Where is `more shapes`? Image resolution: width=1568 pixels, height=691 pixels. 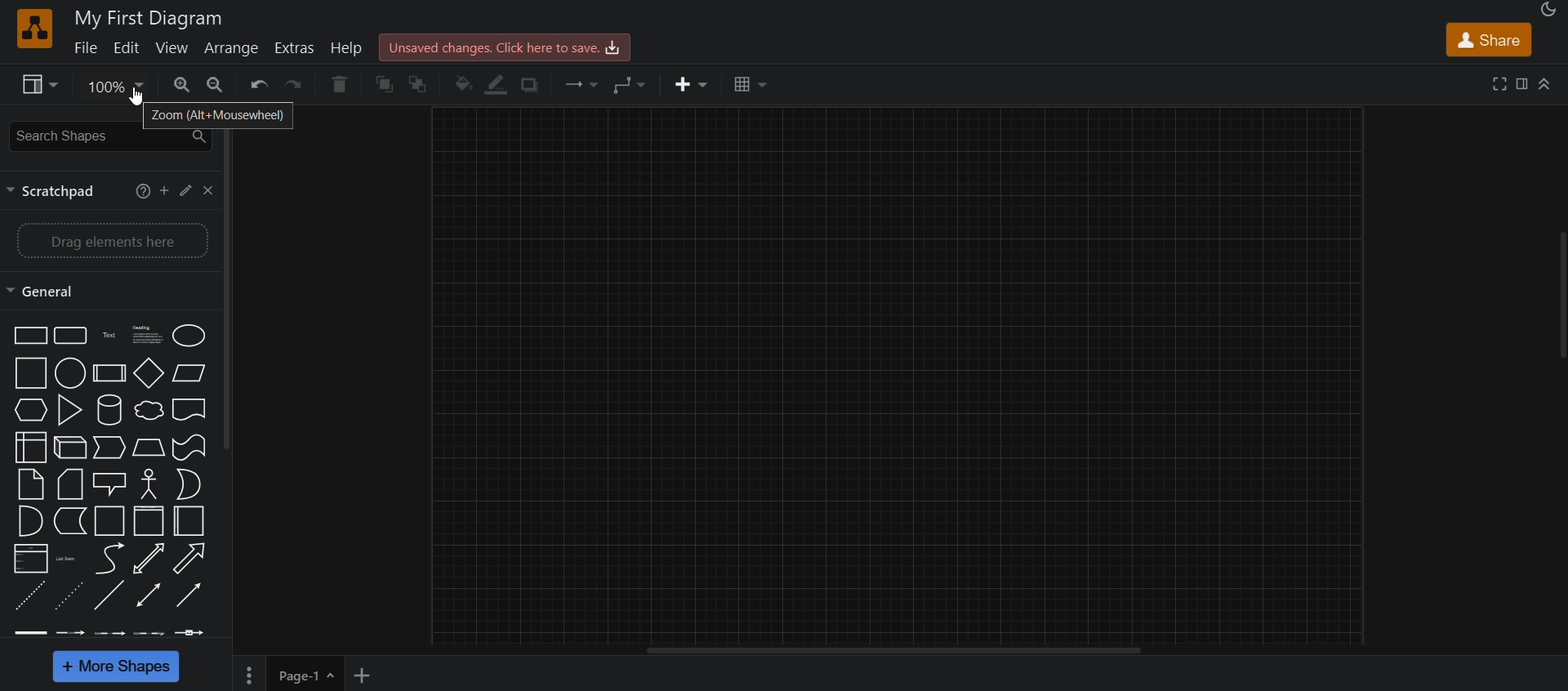 more shapes is located at coordinates (119, 666).